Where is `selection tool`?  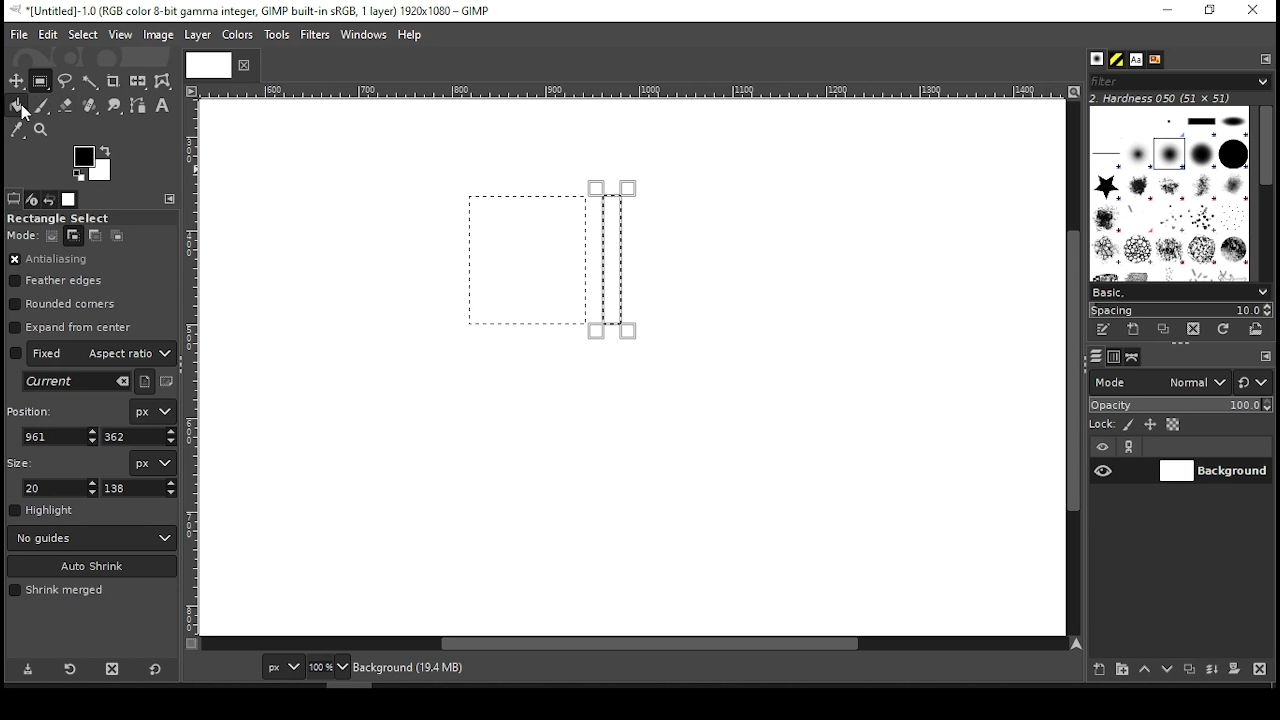
selection tool is located at coordinates (17, 81).